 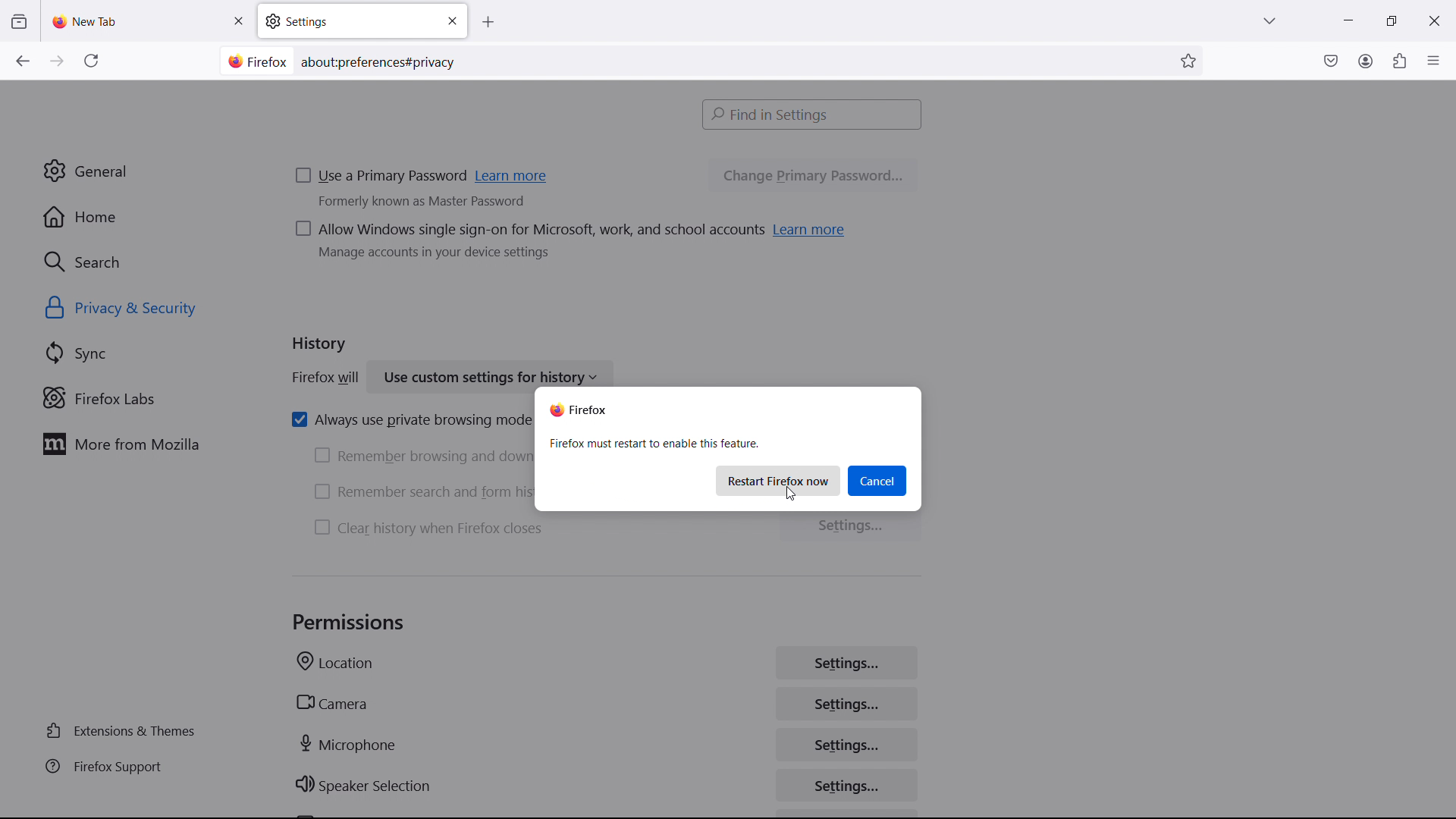 What do you see at coordinates (846, 704) in the screenshot?
I see `camera permission settings` at bounding box center [846, 704].